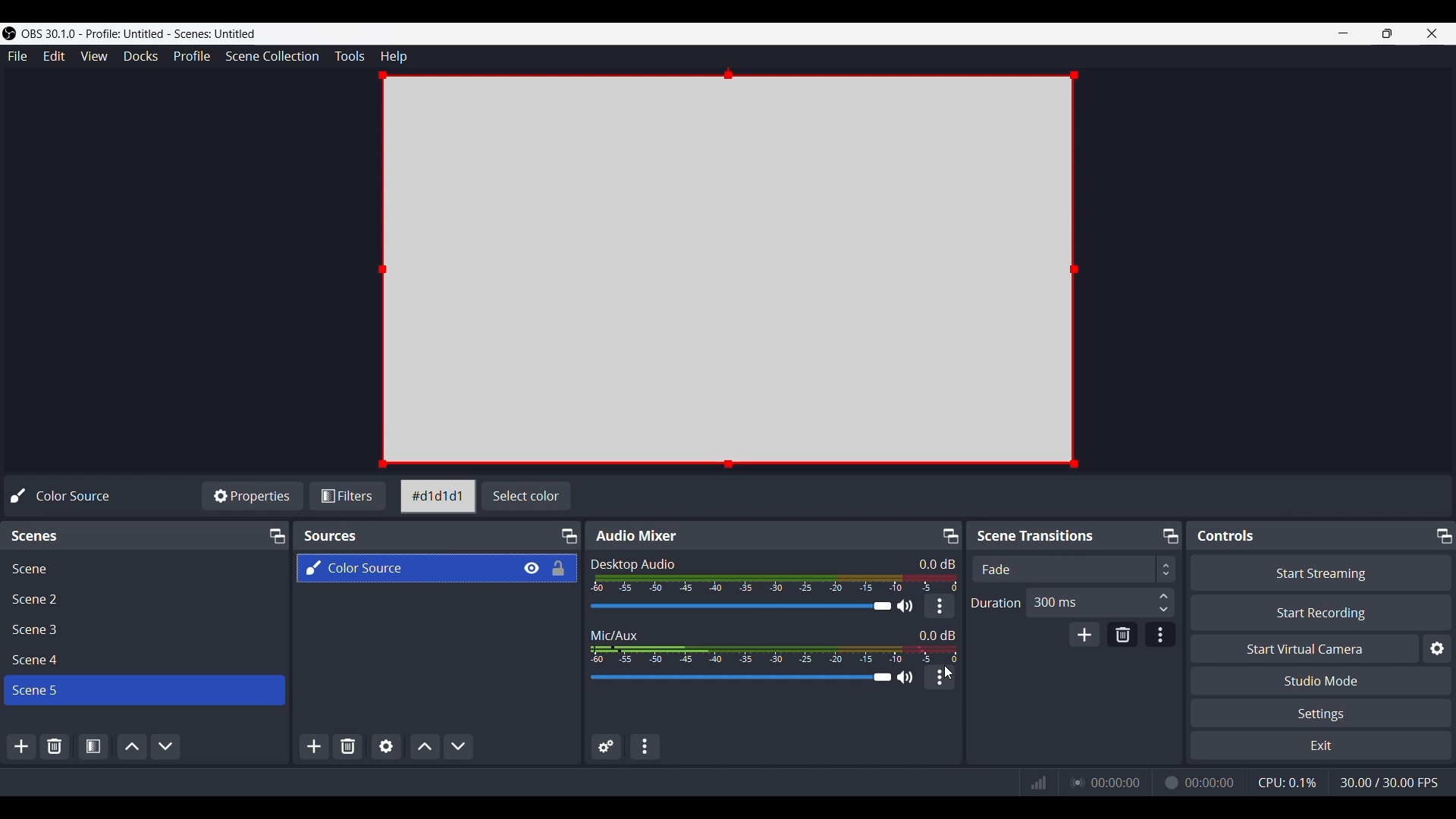 The width and height of the screenshot is (1456, 819). Describe the element at coordinates (1320, 612) in the screenshot. I see `Start Recording` at that location.